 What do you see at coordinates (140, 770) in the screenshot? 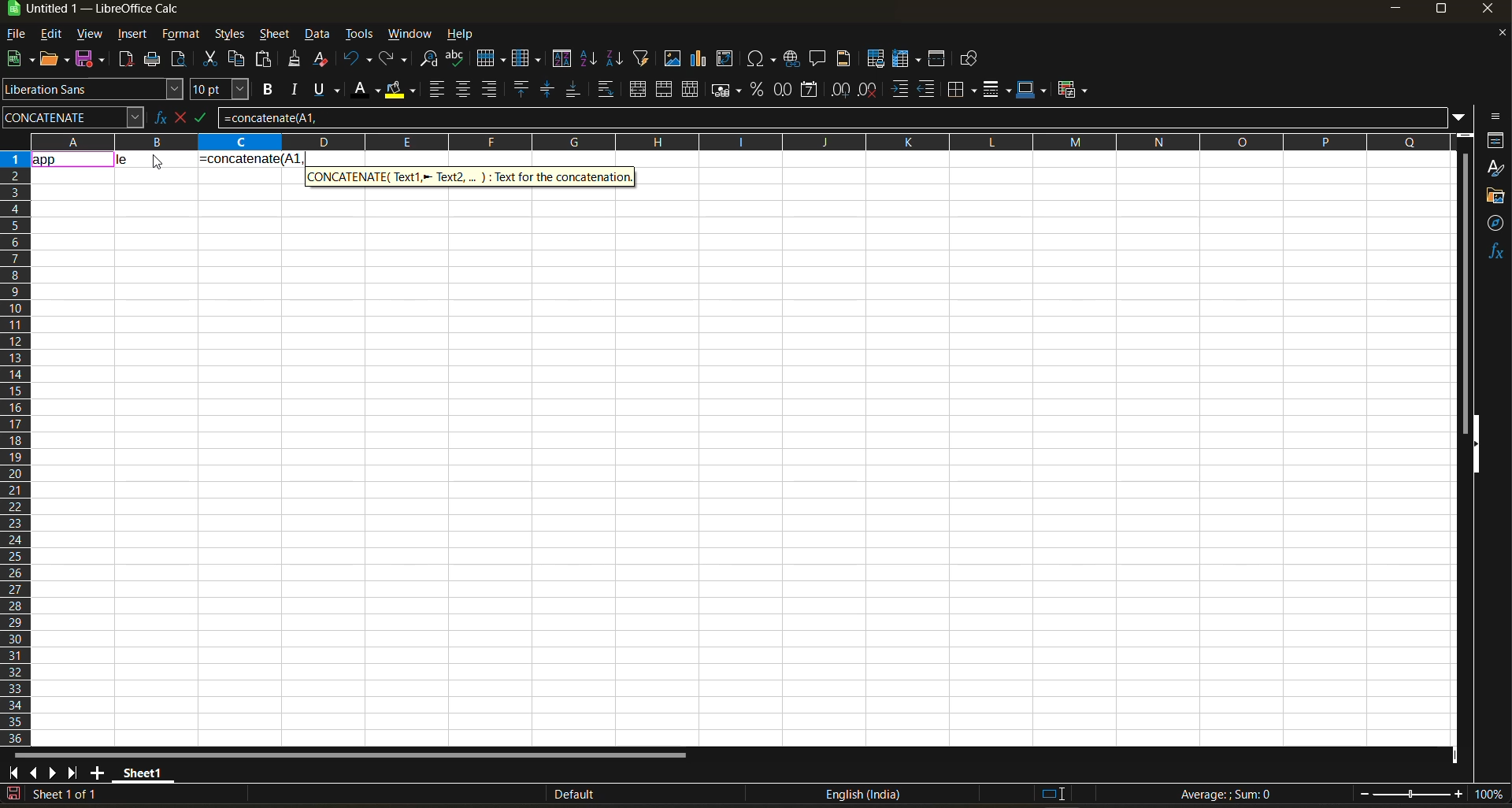
I see `sheet name` at bounding box center [140, 770].